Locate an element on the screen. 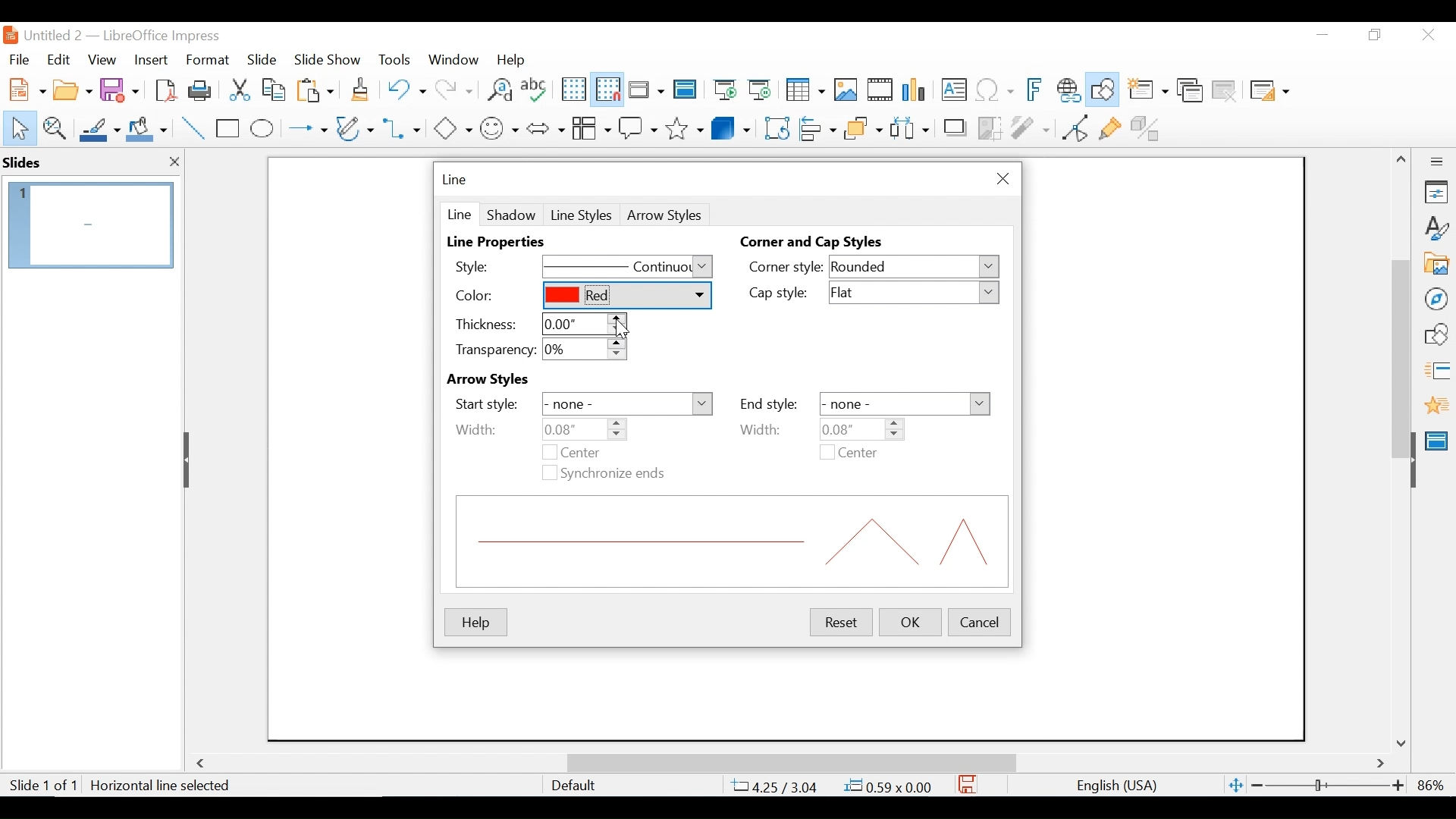  Spelling is located at coordinates (536, 89).